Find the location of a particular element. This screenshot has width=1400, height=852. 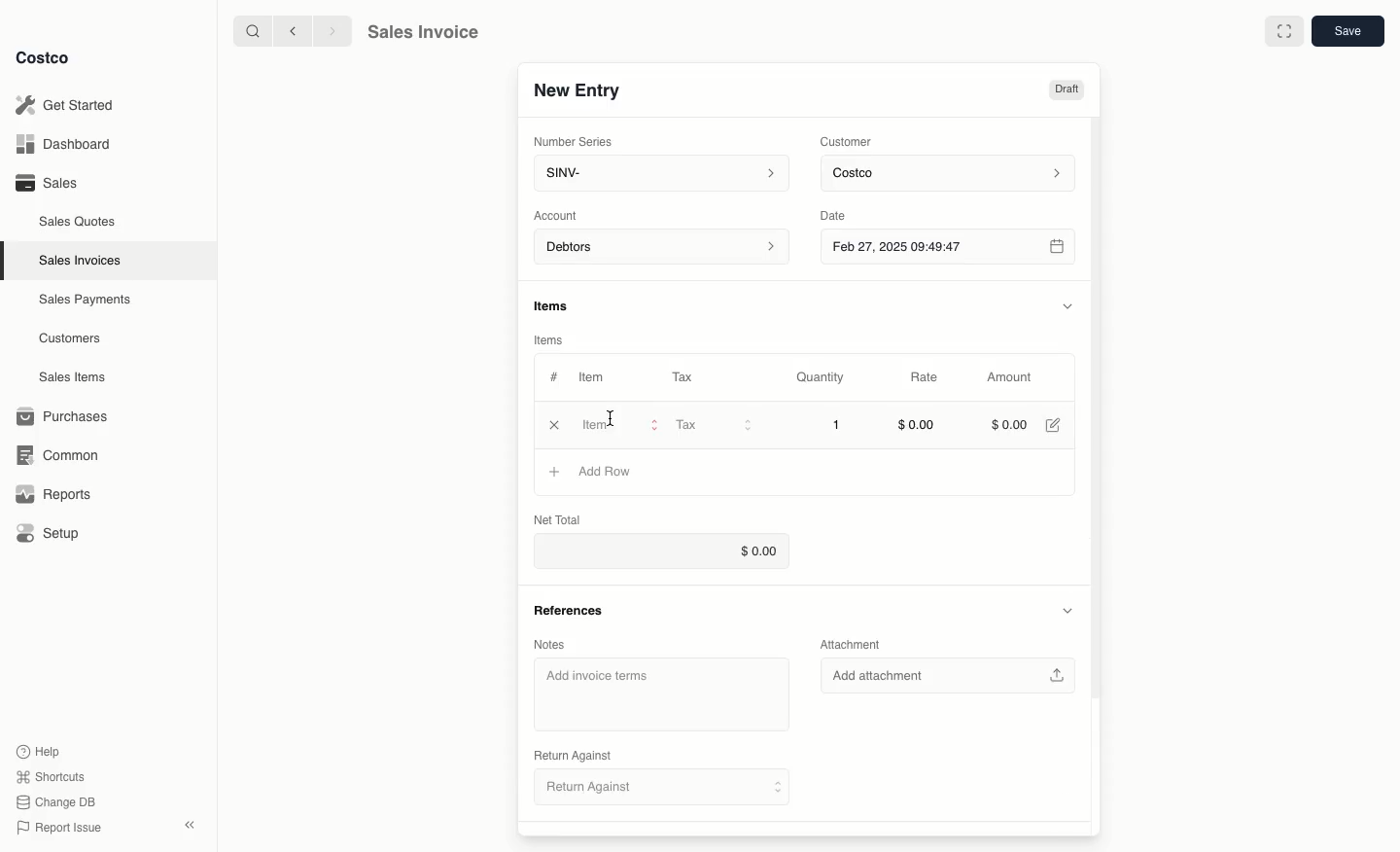

Quantity is located at coordinates (822, 377).